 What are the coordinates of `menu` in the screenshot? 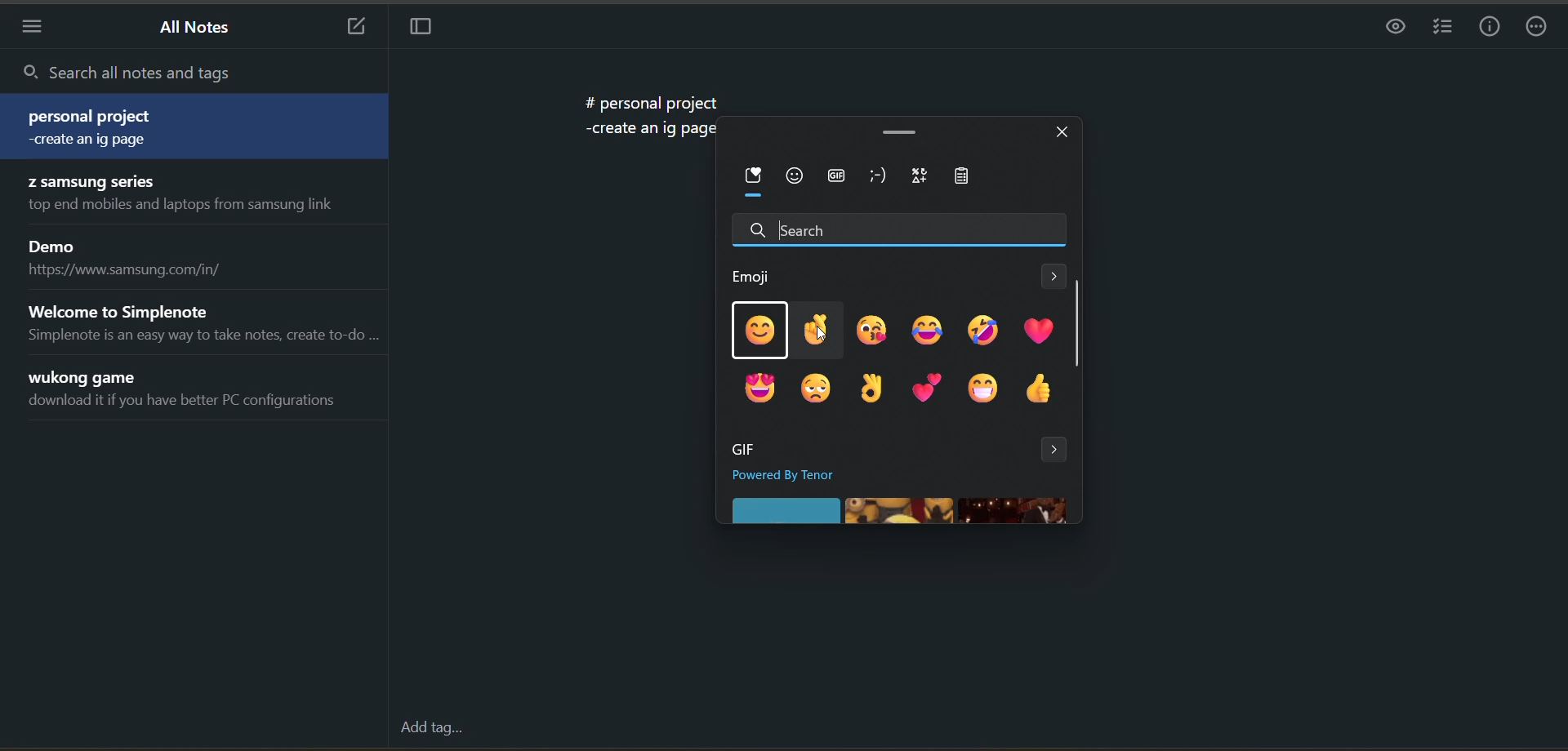 It's located at (29, 29).